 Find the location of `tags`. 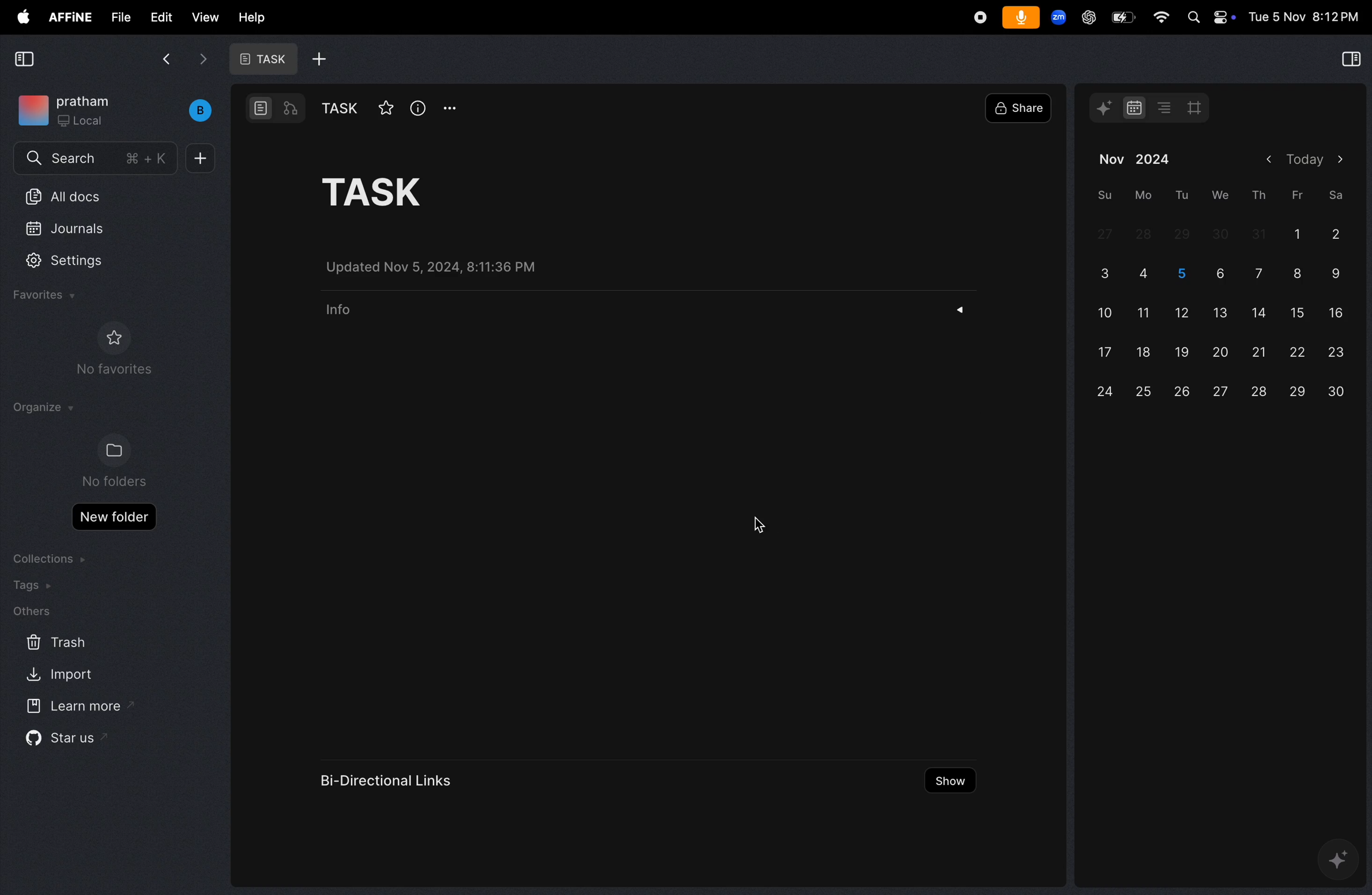

tags is located at coordinates (36, 586).